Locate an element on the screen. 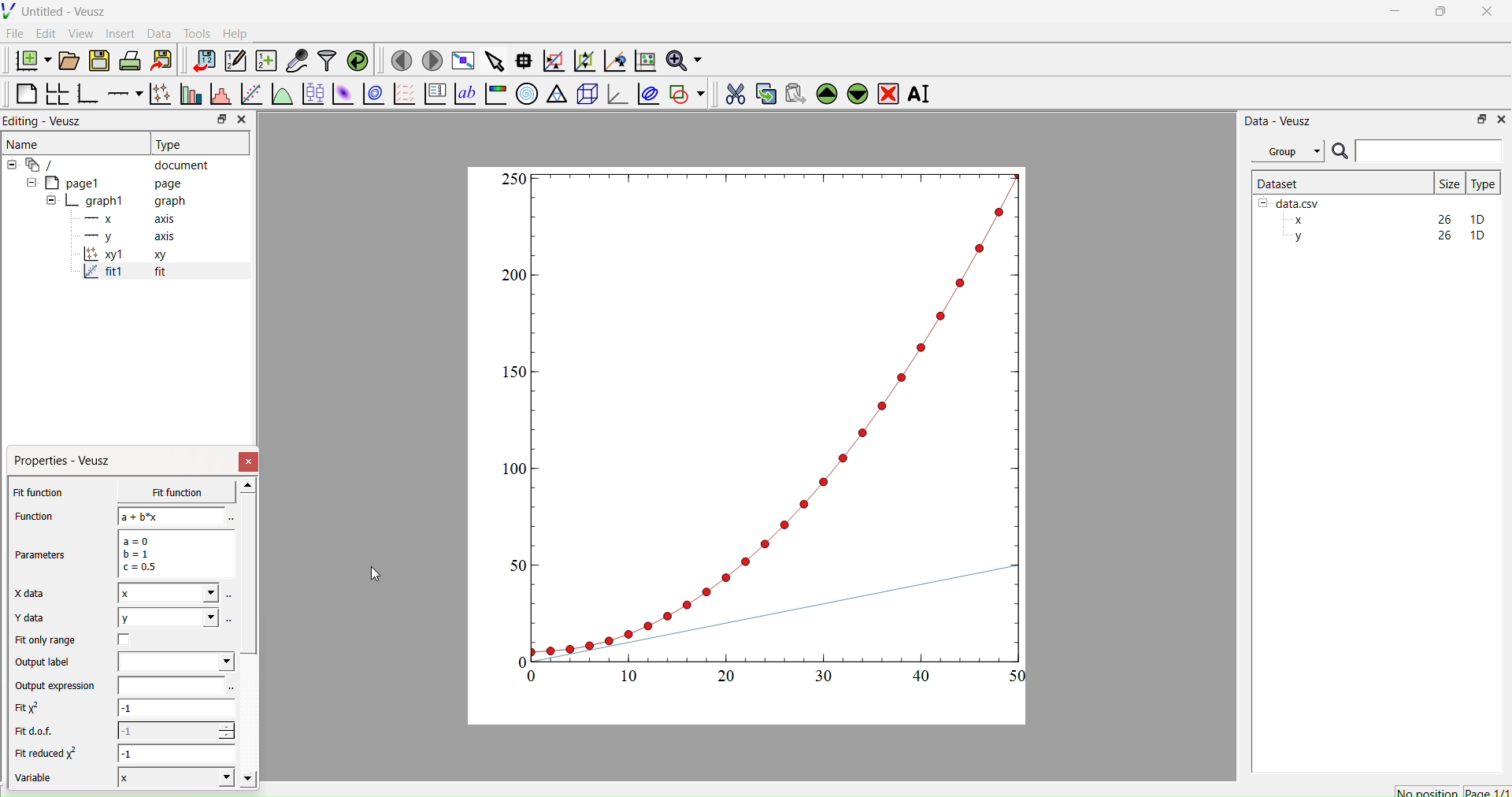 The width and height of the screenshot is (1512, 797). No position Page 1/1 is located at coordinates (1451, 791).